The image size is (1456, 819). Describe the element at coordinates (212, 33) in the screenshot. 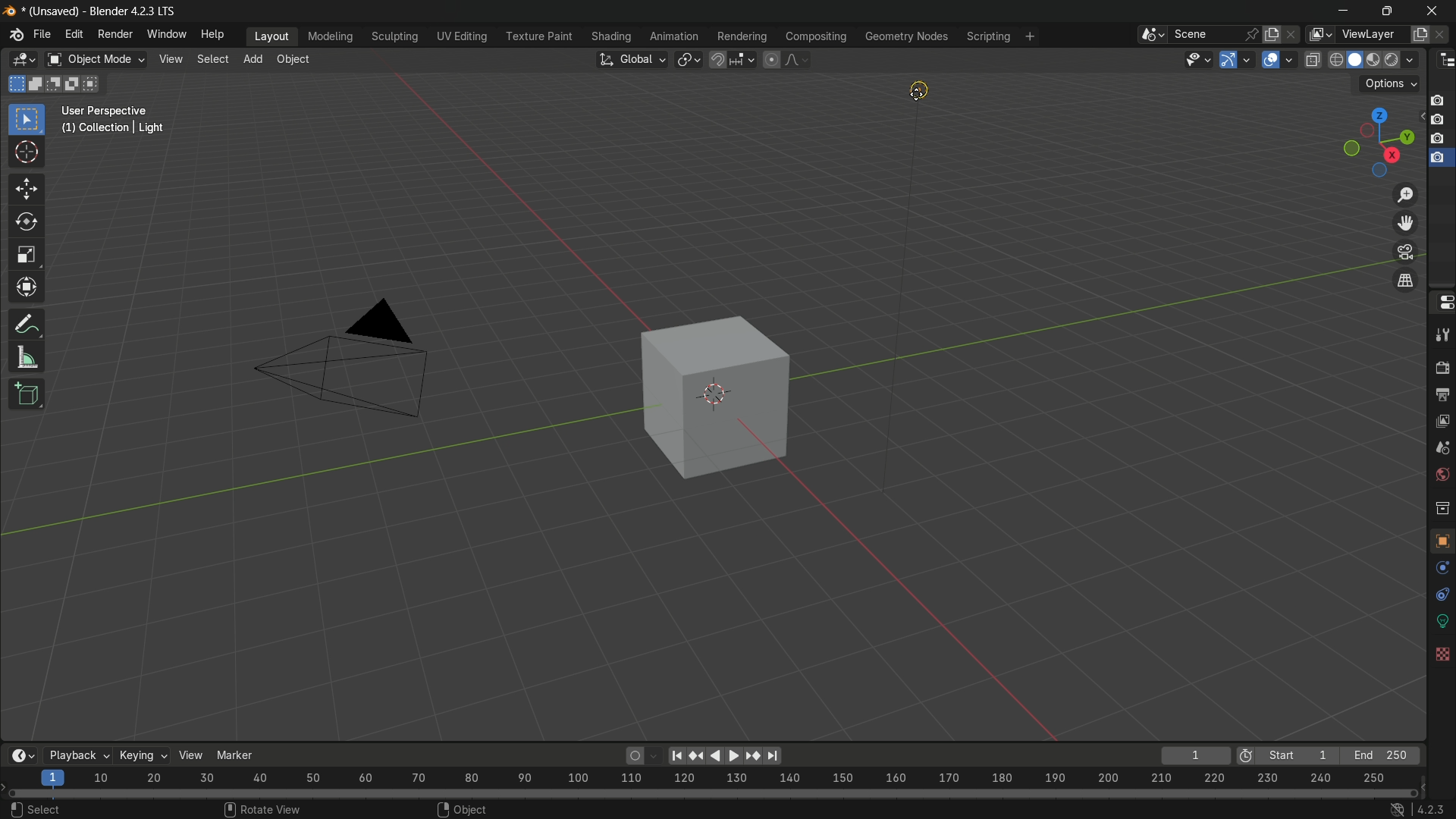

I see `help menu` at that location.